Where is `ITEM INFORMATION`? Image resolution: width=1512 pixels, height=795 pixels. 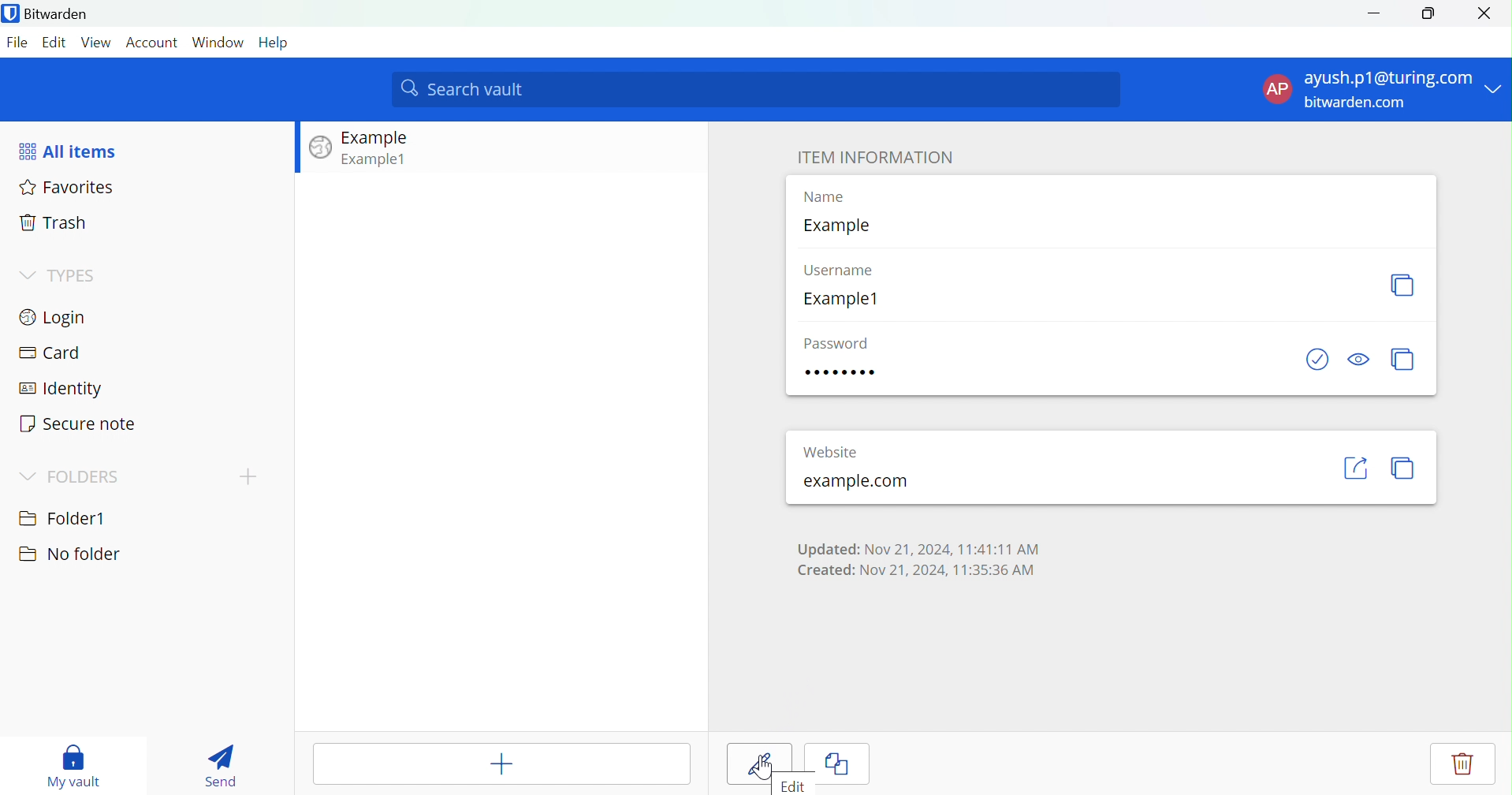
ITEM INFORMATION is located at coordinates (874, 150).